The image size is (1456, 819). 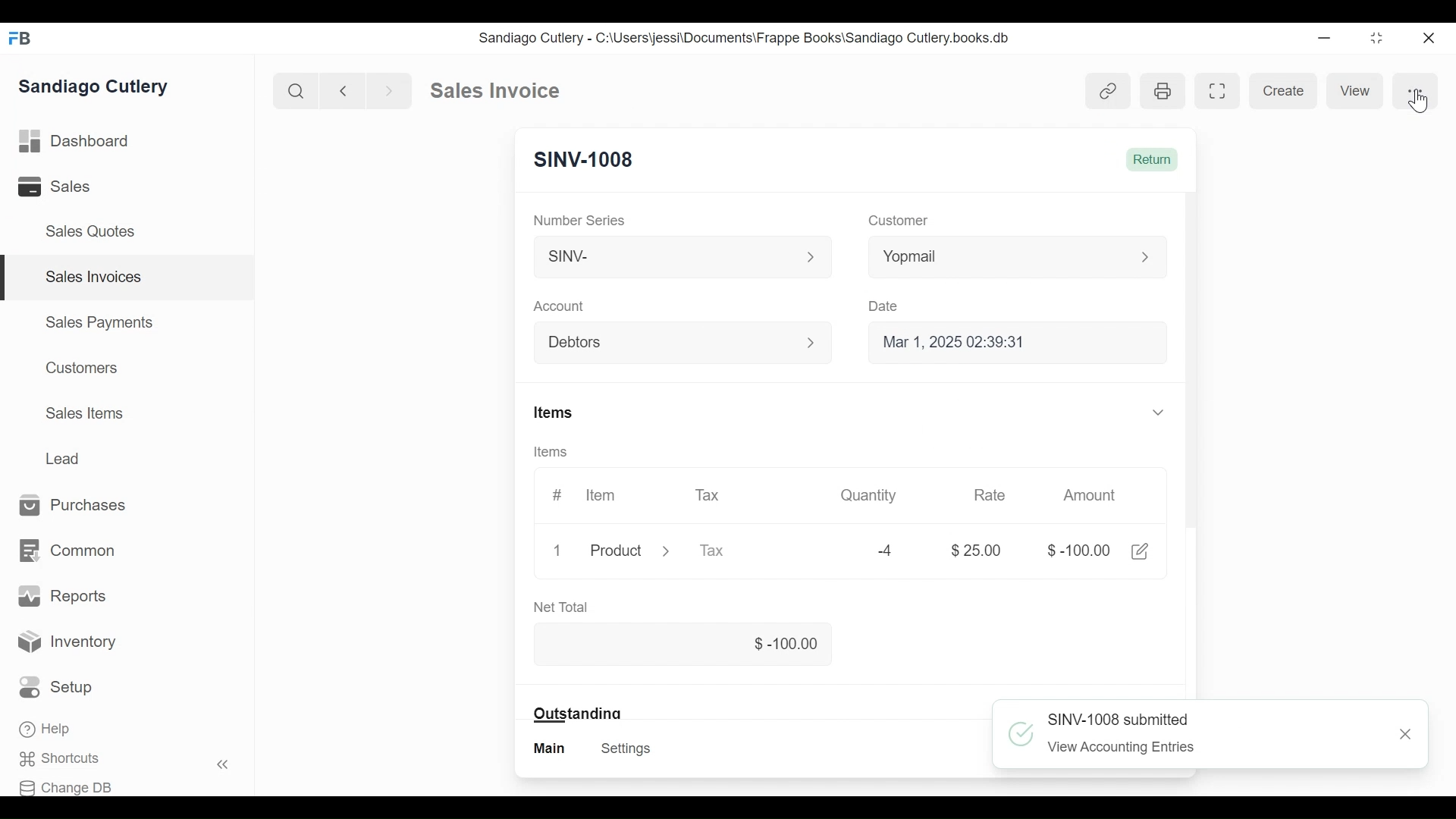 What do you see at coordinates (1109, 91) in the screenshot?
I see `View linked entries` at bounding box center [1109, 91].